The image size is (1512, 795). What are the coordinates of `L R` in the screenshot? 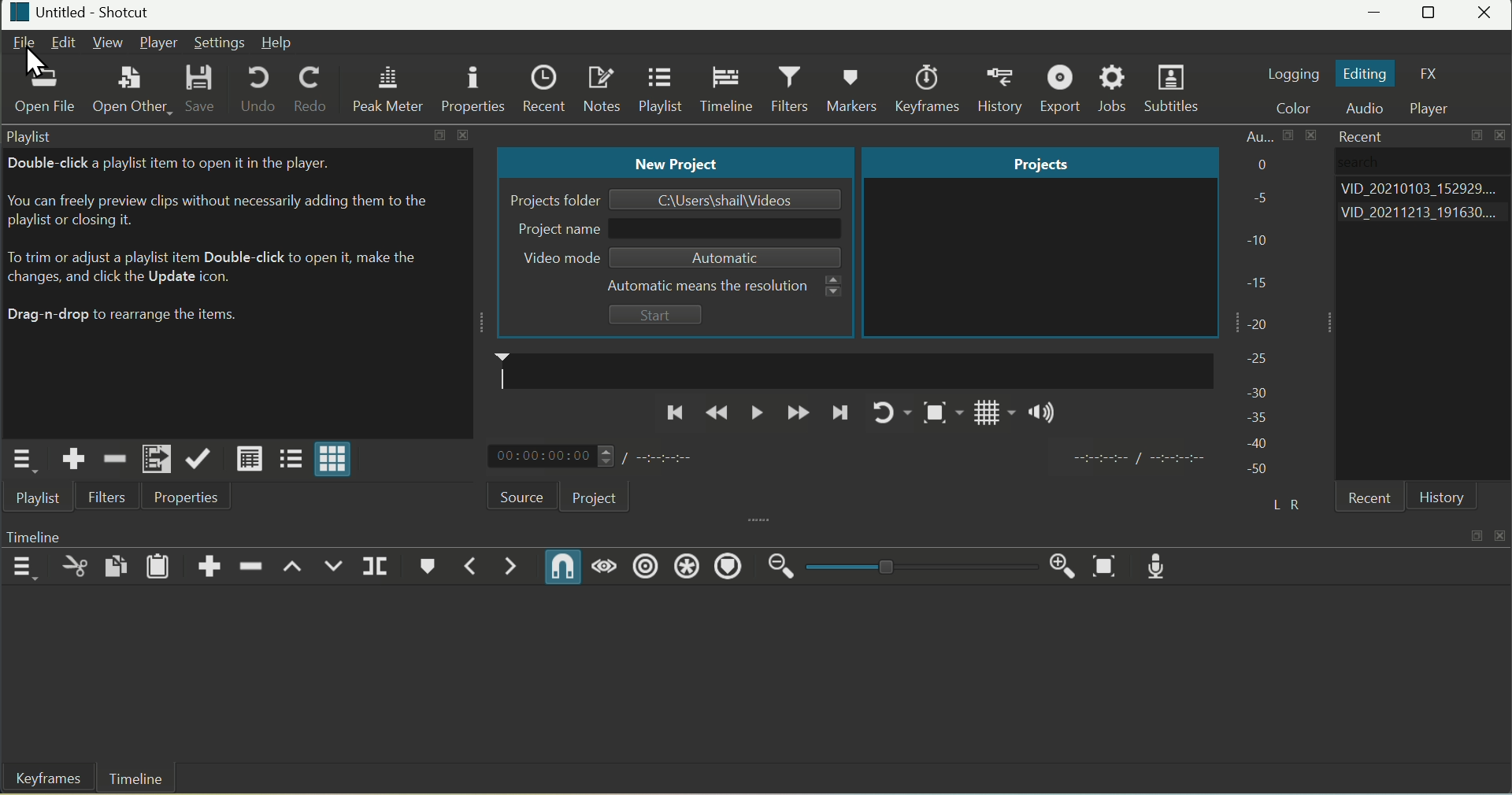 It's located at (1283, 501).